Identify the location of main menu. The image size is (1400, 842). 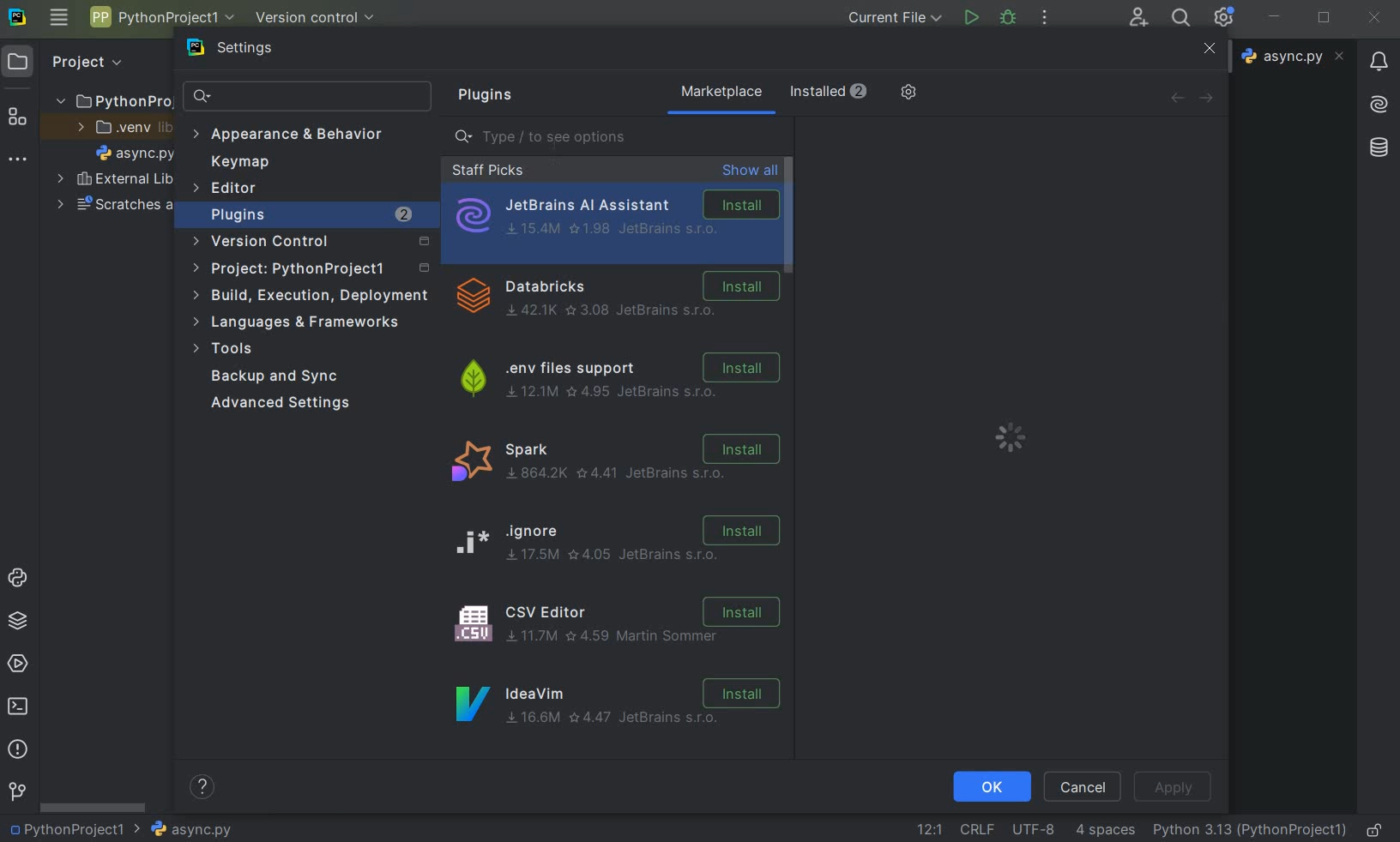
(59, 21).